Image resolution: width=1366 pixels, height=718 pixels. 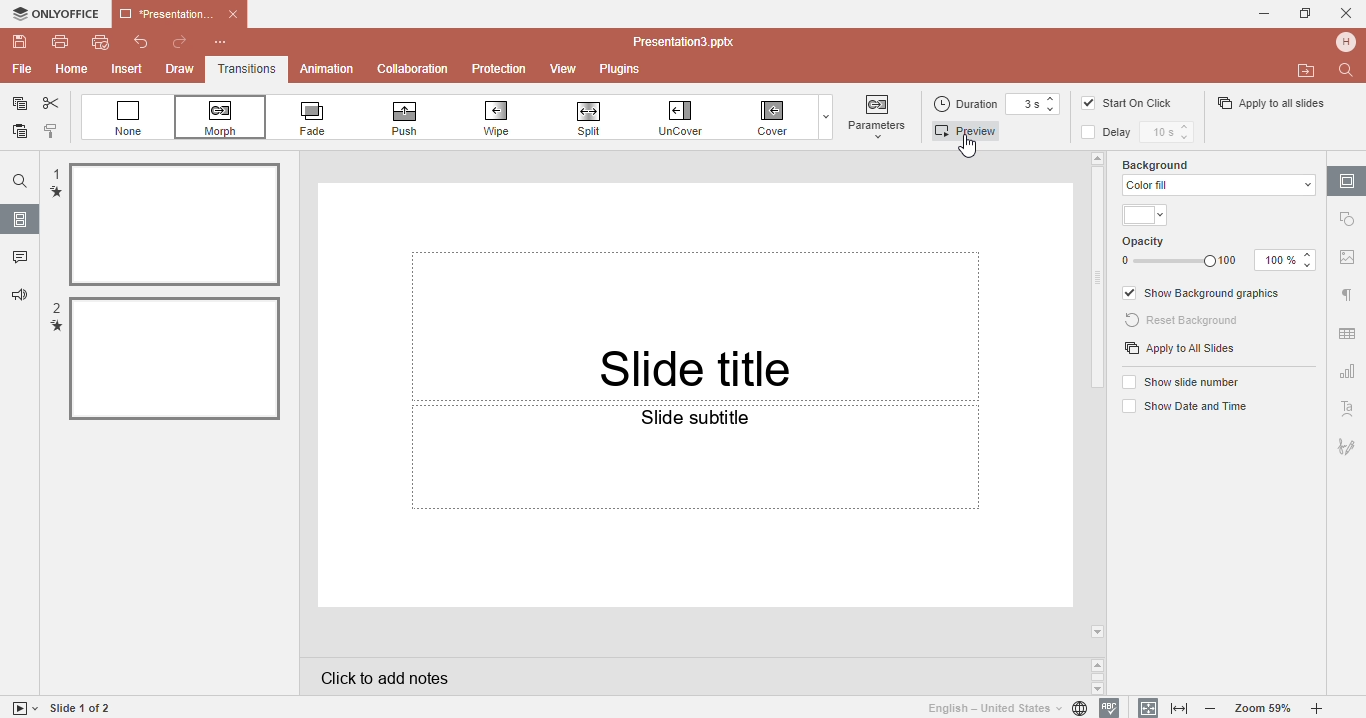 What do you see at coordinates (1204, 294) in the screenshot?
I see `Show background graphics` at bounding box center [1204, 294].